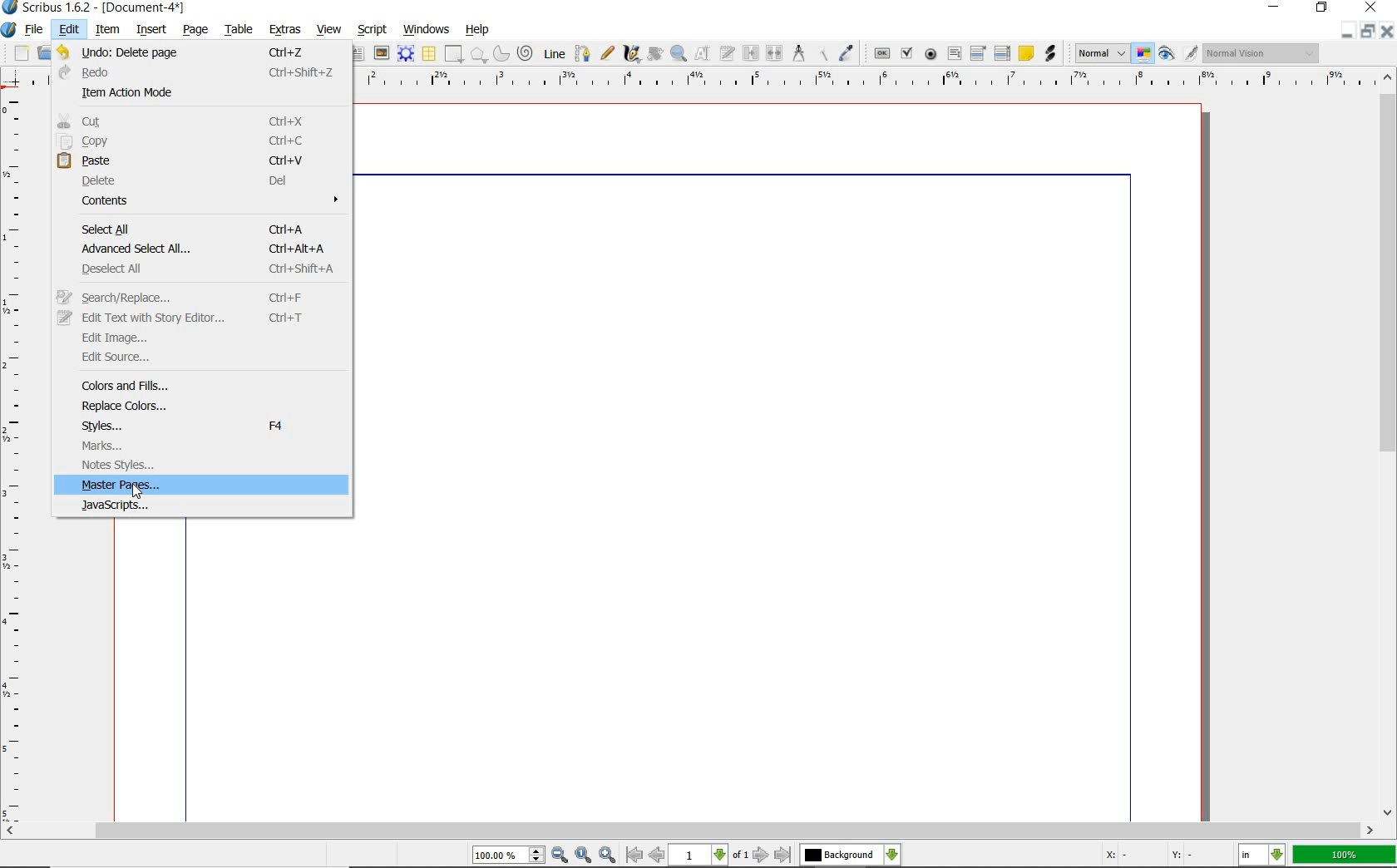  Describe the element at coordinates (851, 856) in the screenshot. I see `Background` at that location.